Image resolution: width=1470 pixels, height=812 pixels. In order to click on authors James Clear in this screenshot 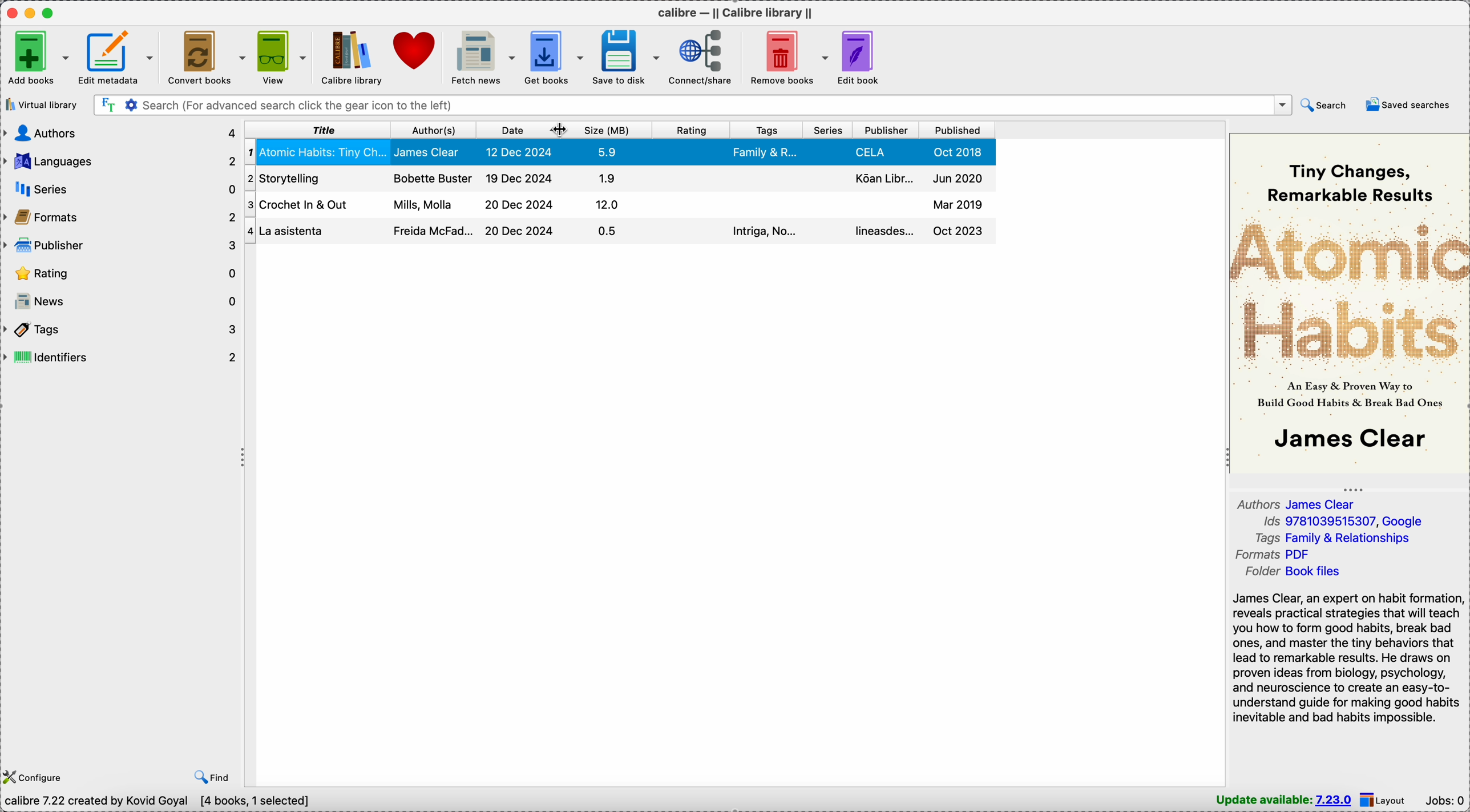, I will do `click(1298, 503)`.